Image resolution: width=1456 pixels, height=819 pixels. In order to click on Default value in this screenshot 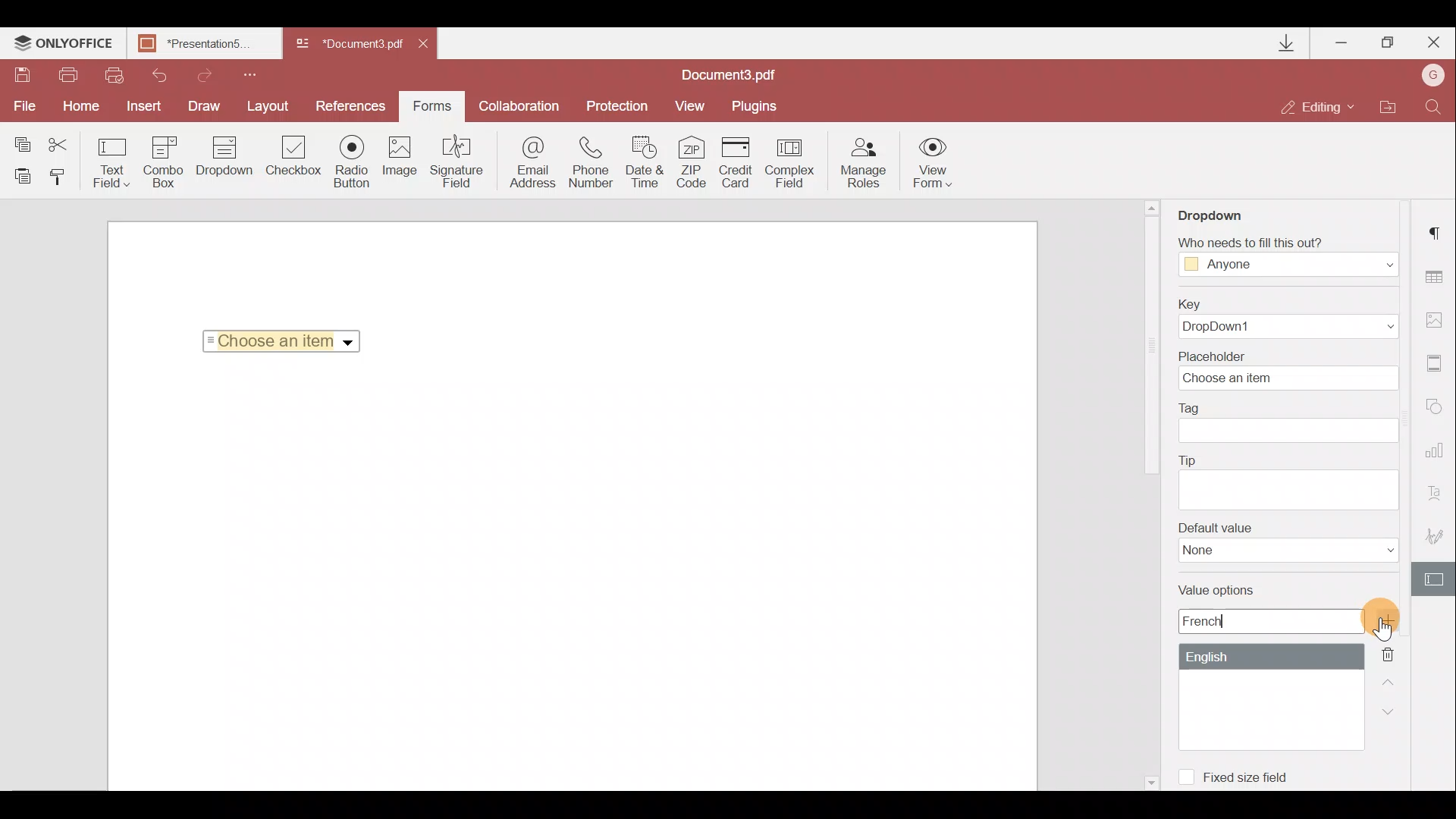, I will do `click(1288, 542)`.